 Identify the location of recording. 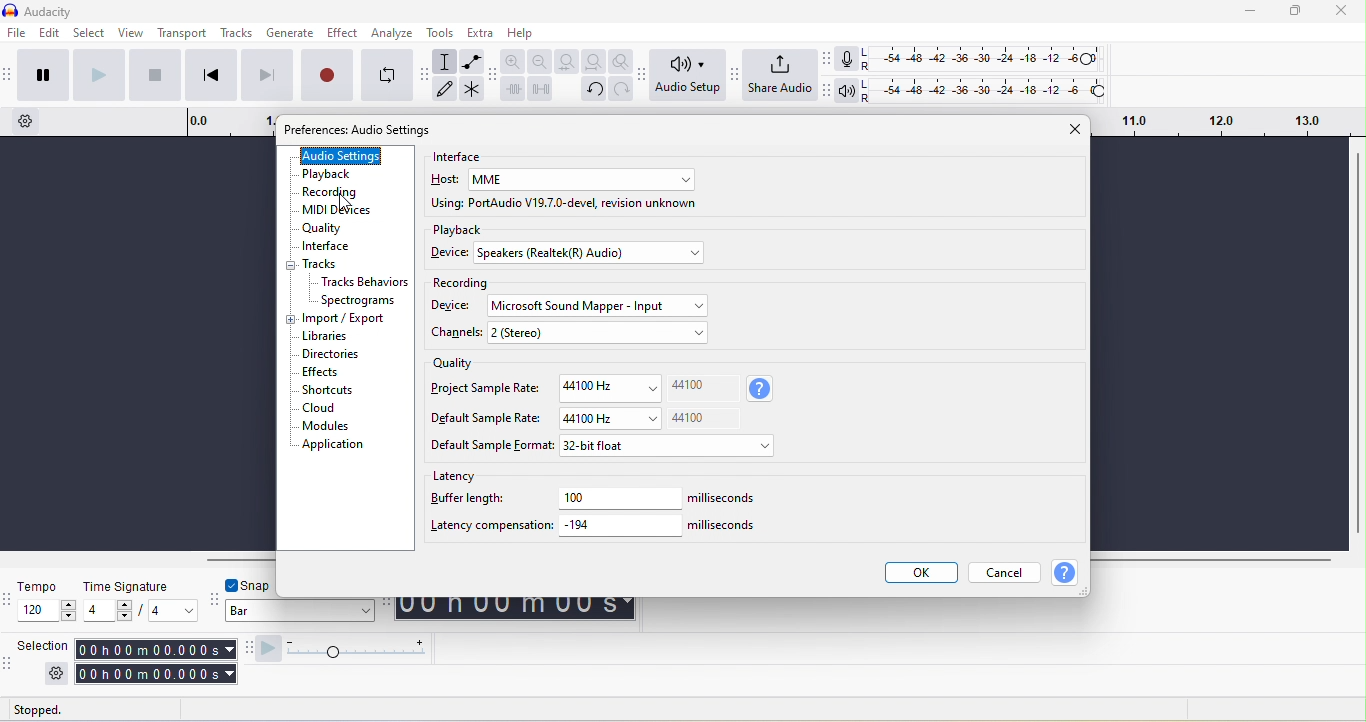
(328, 193).